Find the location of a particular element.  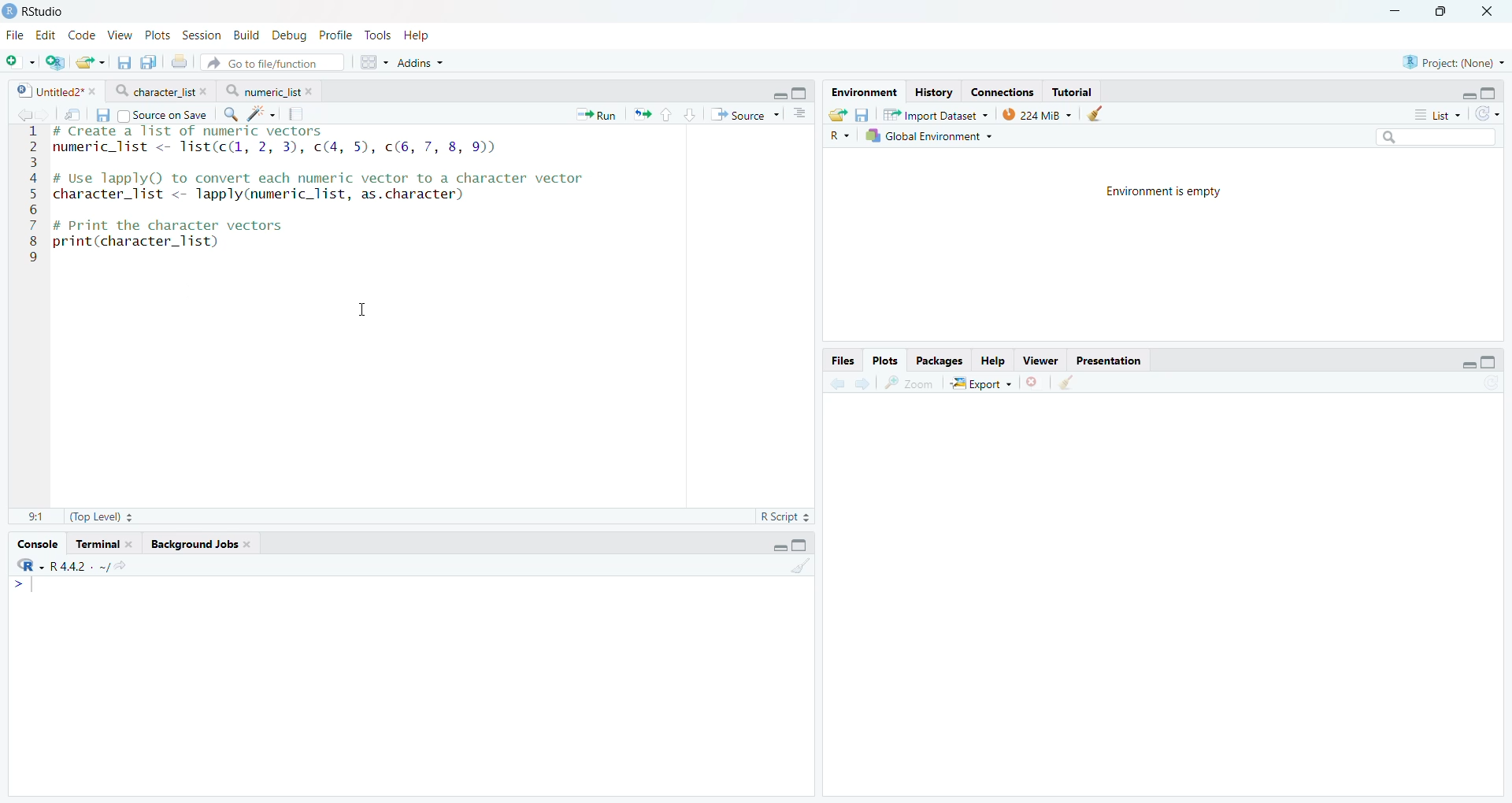

Line numbers is located at coordinates (29, 194).